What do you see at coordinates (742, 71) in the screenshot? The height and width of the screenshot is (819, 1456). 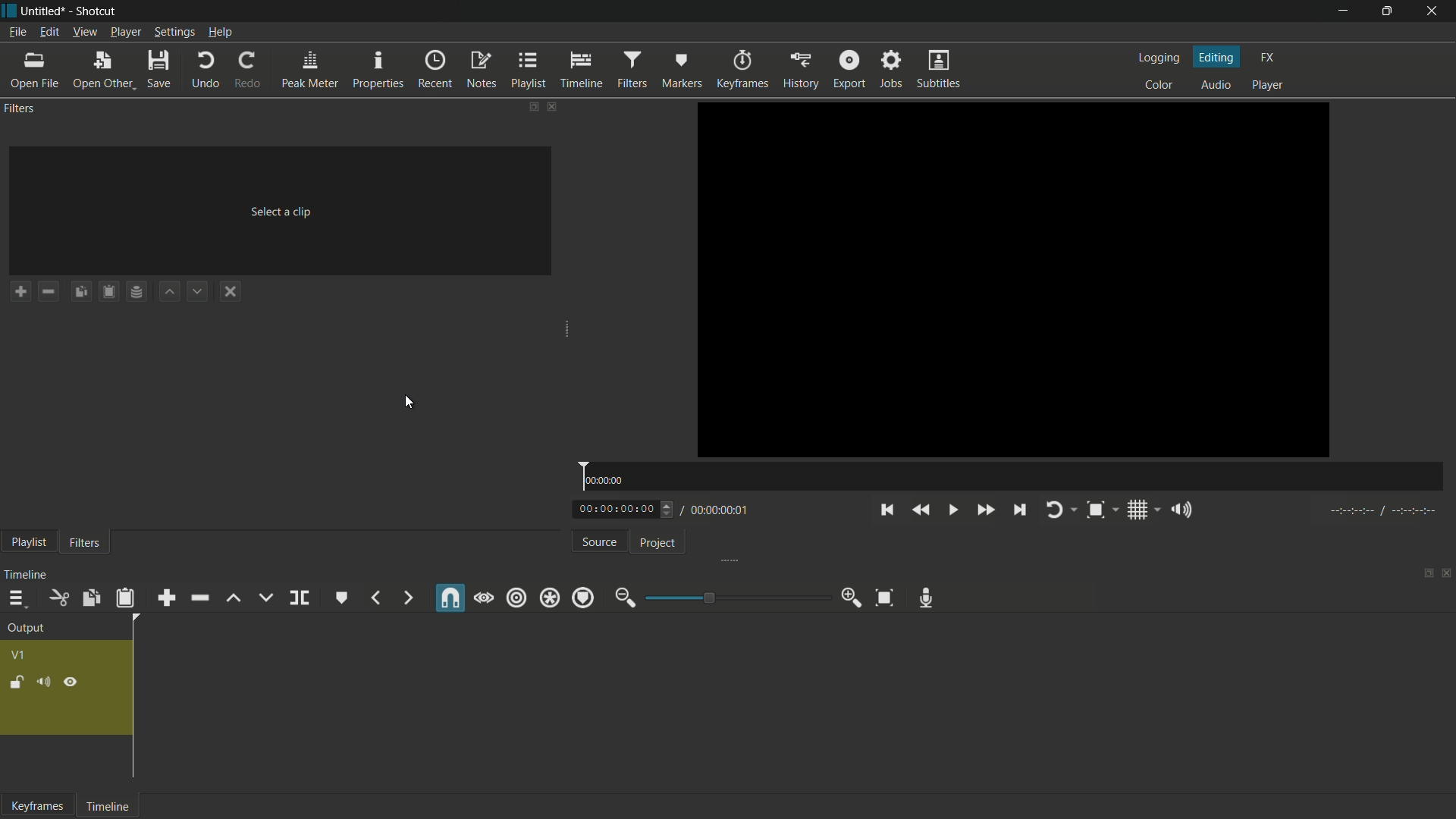 I see `keyframes` at bounding box center [742, 71].